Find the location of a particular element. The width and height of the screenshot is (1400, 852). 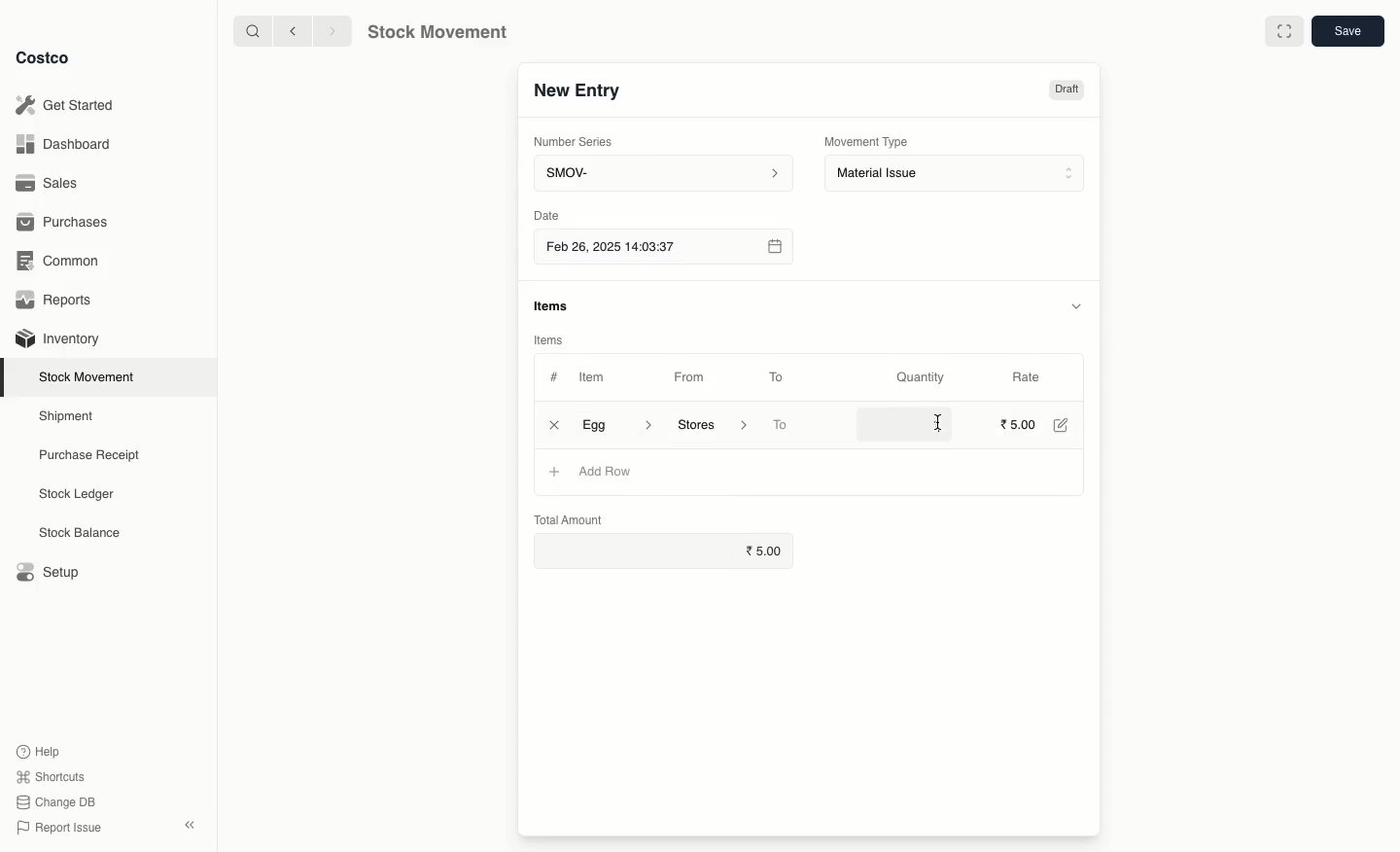

Feb 26, 2025 14:03:37 is located at coordinates (662, 248).